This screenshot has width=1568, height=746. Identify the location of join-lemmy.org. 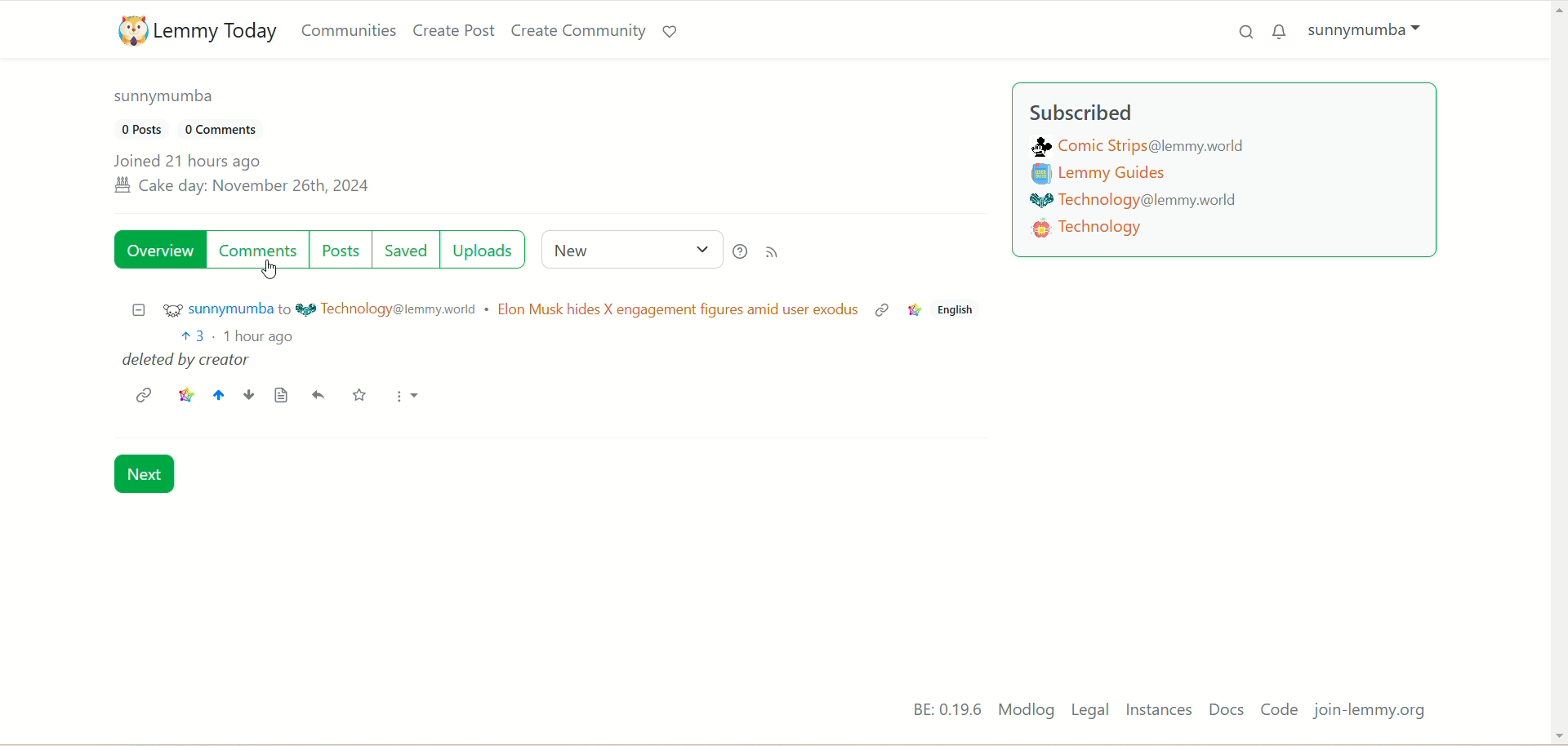
(1371, 711).